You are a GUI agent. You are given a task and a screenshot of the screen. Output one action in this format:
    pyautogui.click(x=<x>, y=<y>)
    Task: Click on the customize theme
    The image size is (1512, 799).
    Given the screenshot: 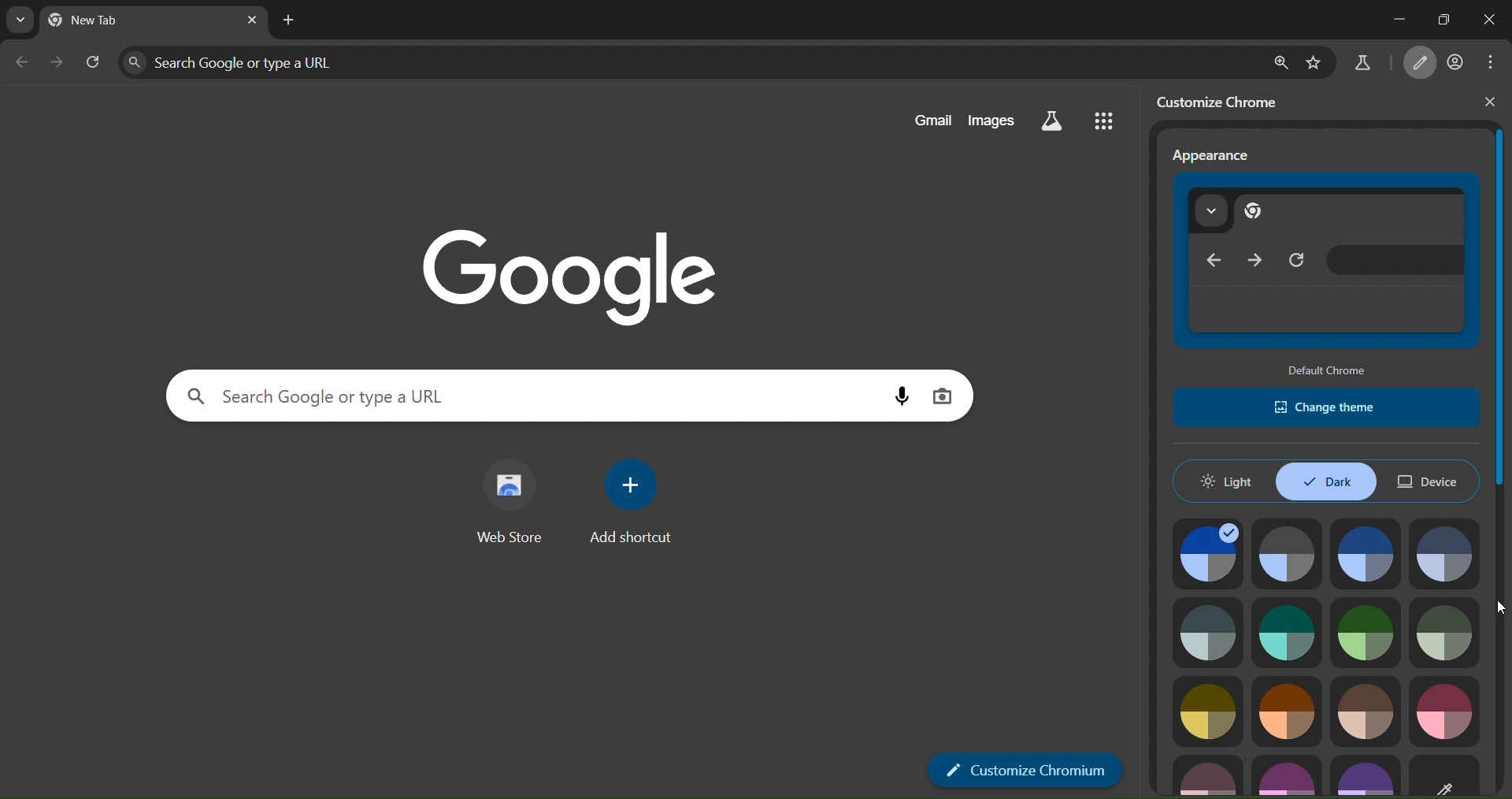 What is the action you would take?
    pyautogui.click(x=1444, y=775)
    